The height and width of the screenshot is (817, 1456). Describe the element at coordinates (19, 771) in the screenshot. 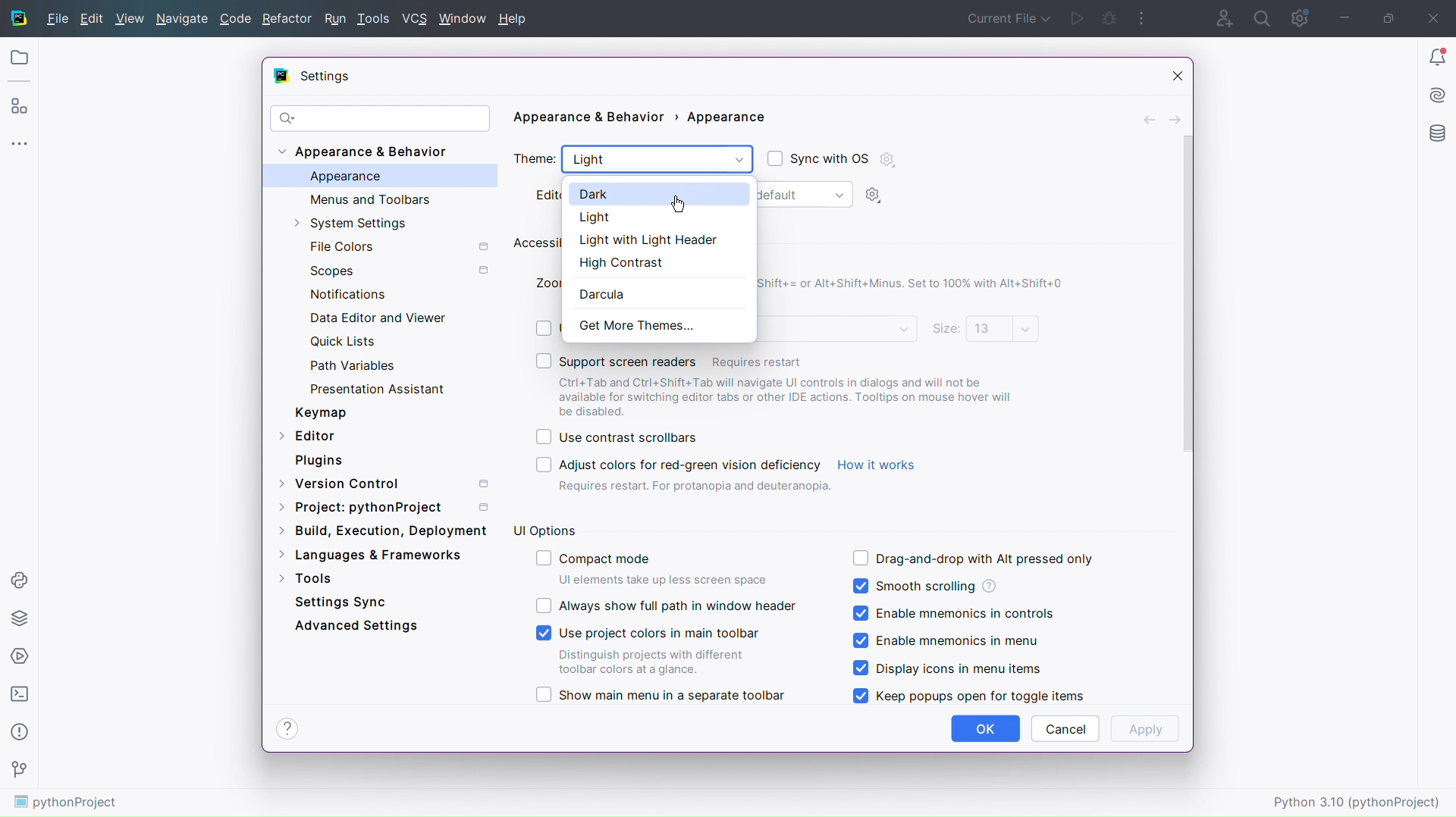

I see `Version Control` at that location.